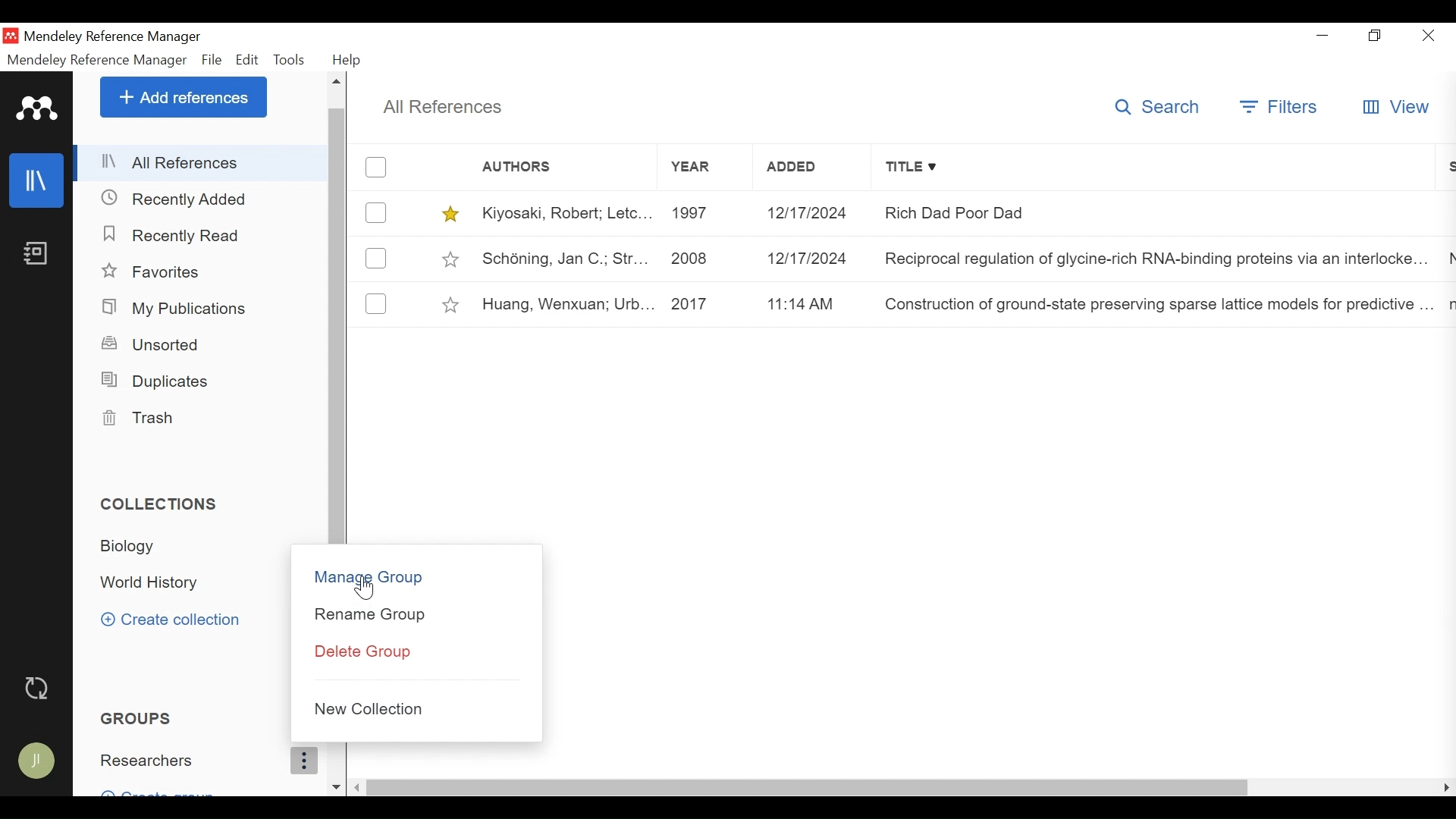  What do you see at coordinates (547, 168) in the screenshot?
I see `Authors` at bounding box center [547, 168].